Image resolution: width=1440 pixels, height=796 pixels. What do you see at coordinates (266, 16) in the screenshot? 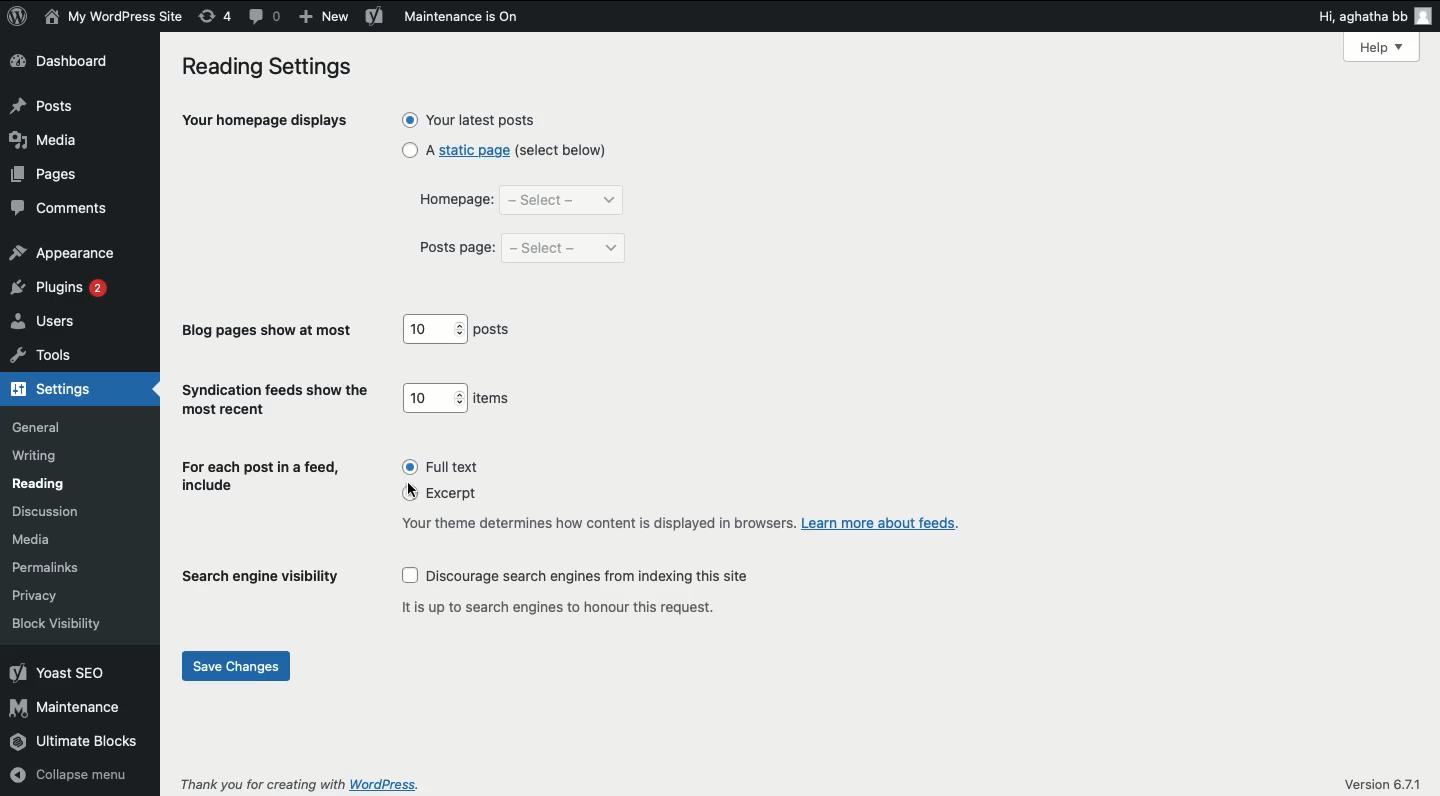
I see `comment` at bounding box center [266, 16].